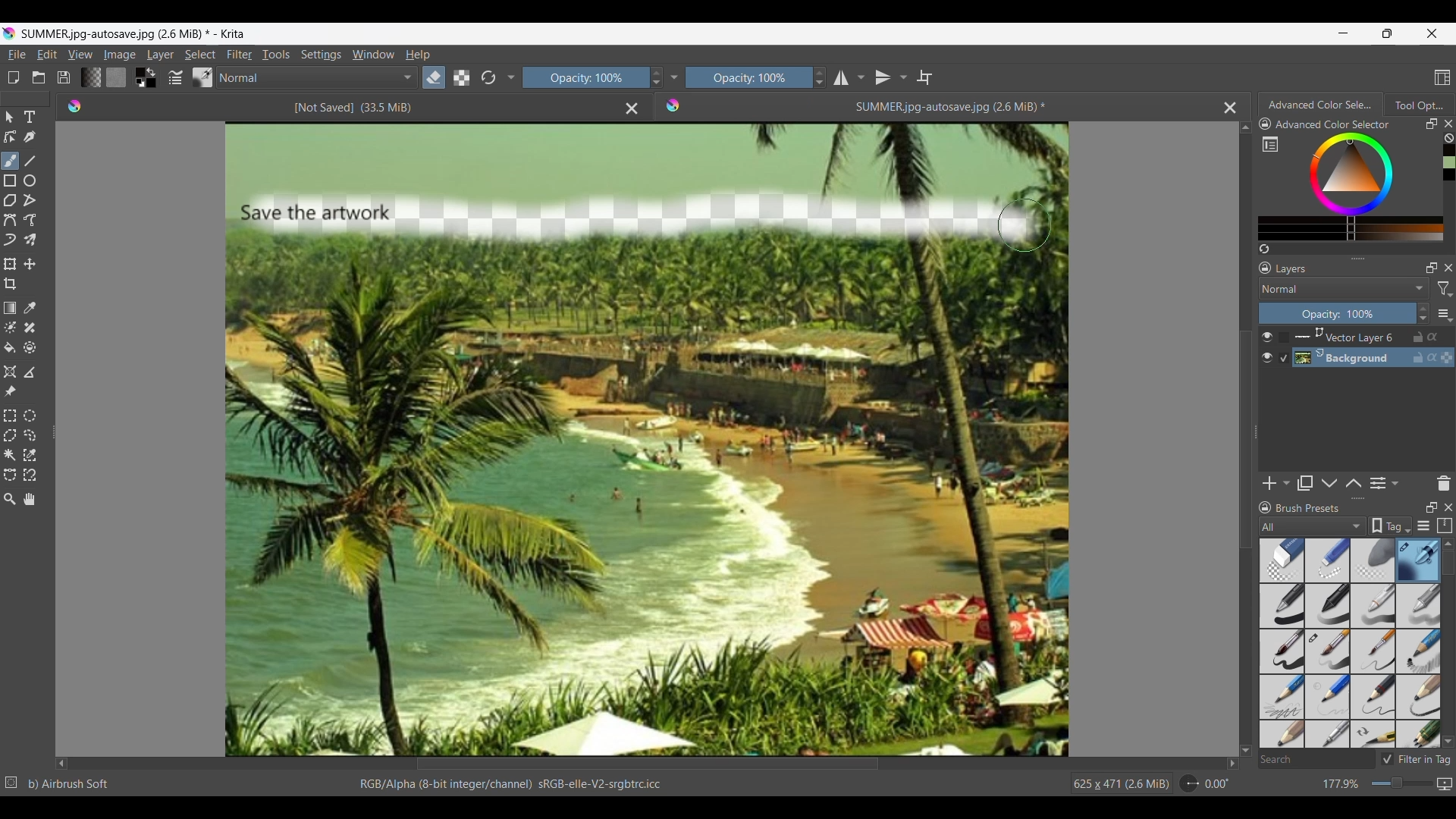  I want to click on Color history, so click(1448, 162).